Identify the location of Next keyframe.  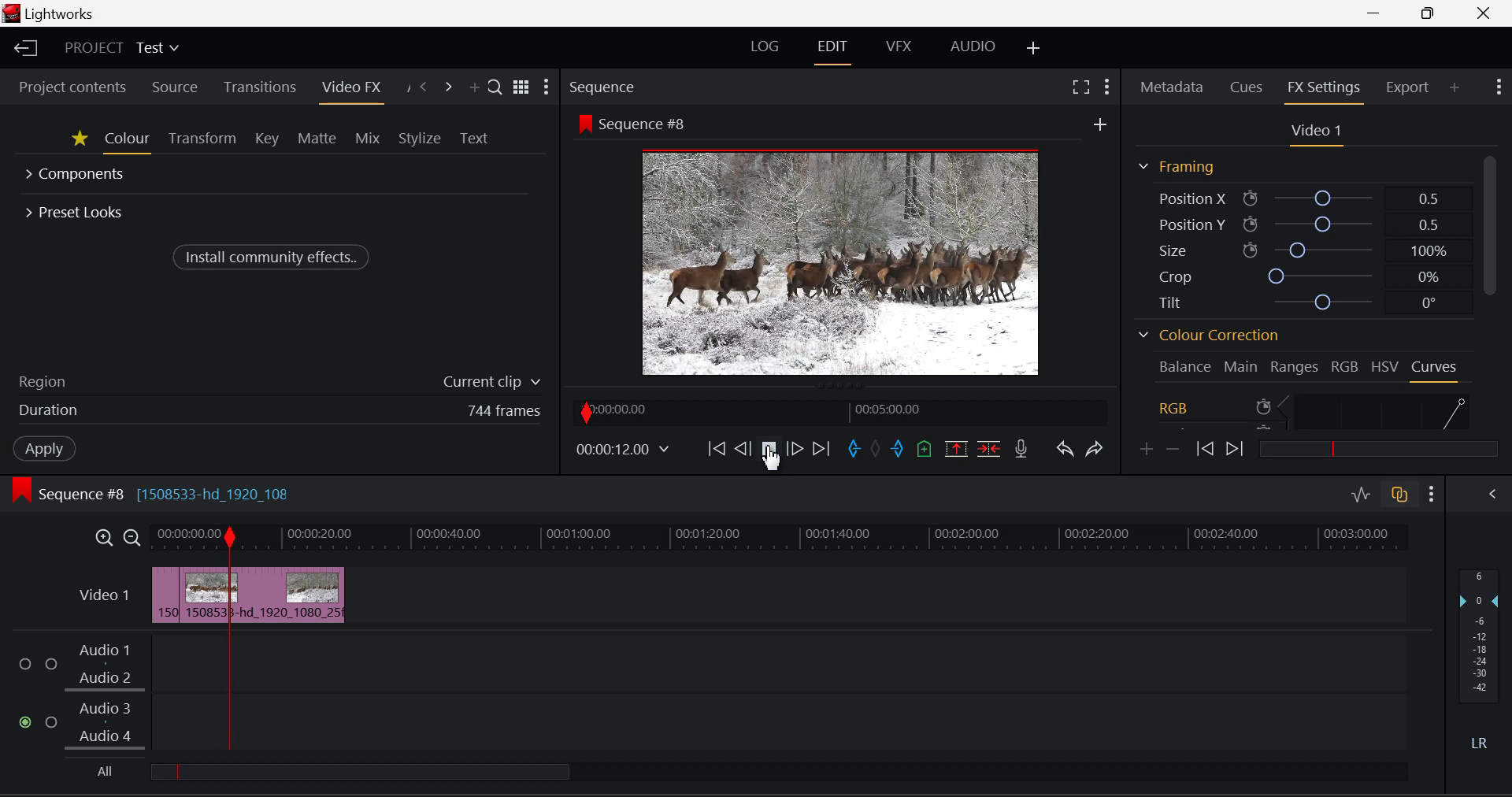
(1238, 446).